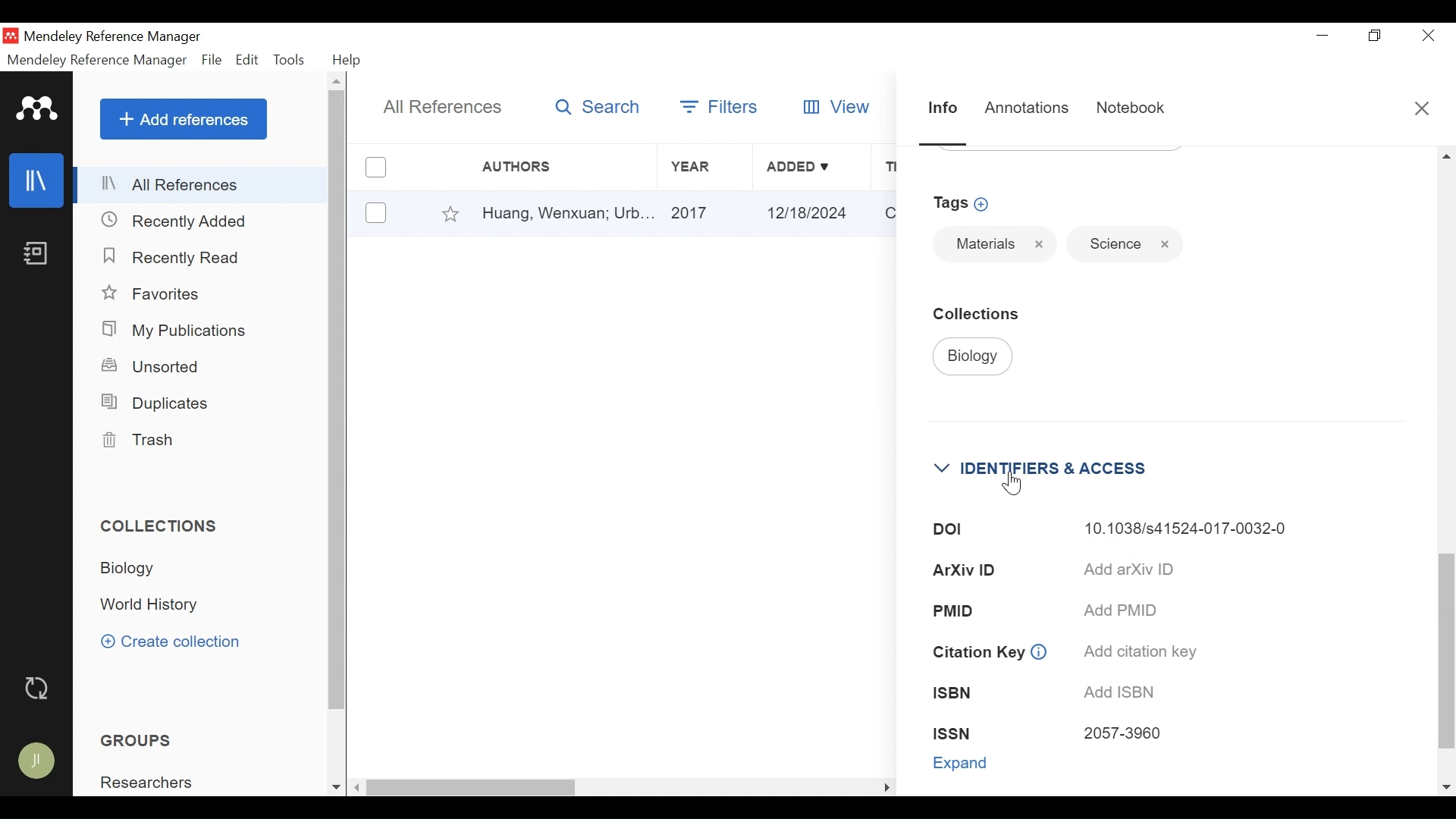 This screenshot has width=1456, height=819. Describe the element at coordinates (1322, 35) in the screenshot. I see `minimize` at that location.